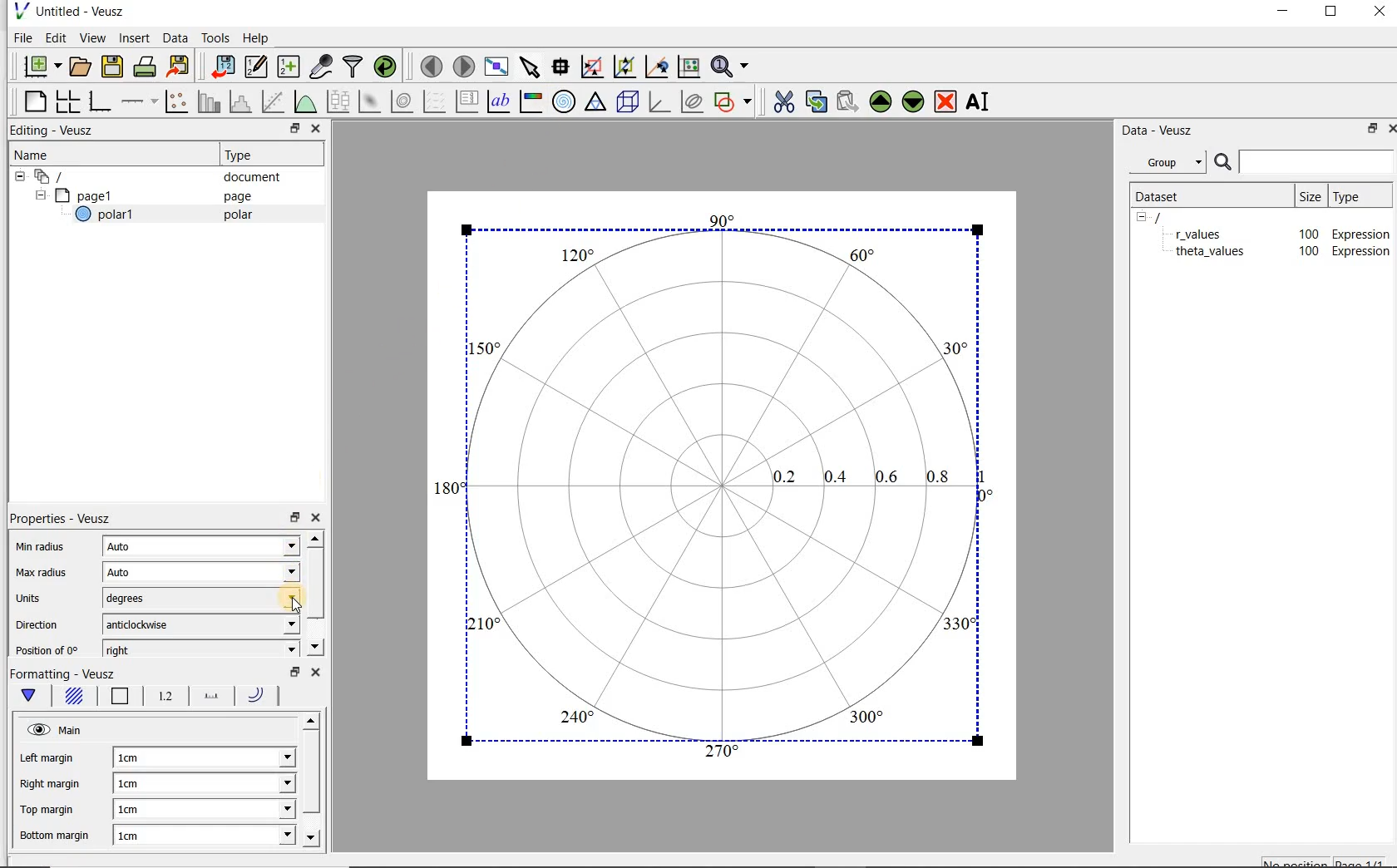 The image size is (1397, 868). Describe the element at coordinates (781, 100) in the screenshot. I see `cut the selected widget` at that location.